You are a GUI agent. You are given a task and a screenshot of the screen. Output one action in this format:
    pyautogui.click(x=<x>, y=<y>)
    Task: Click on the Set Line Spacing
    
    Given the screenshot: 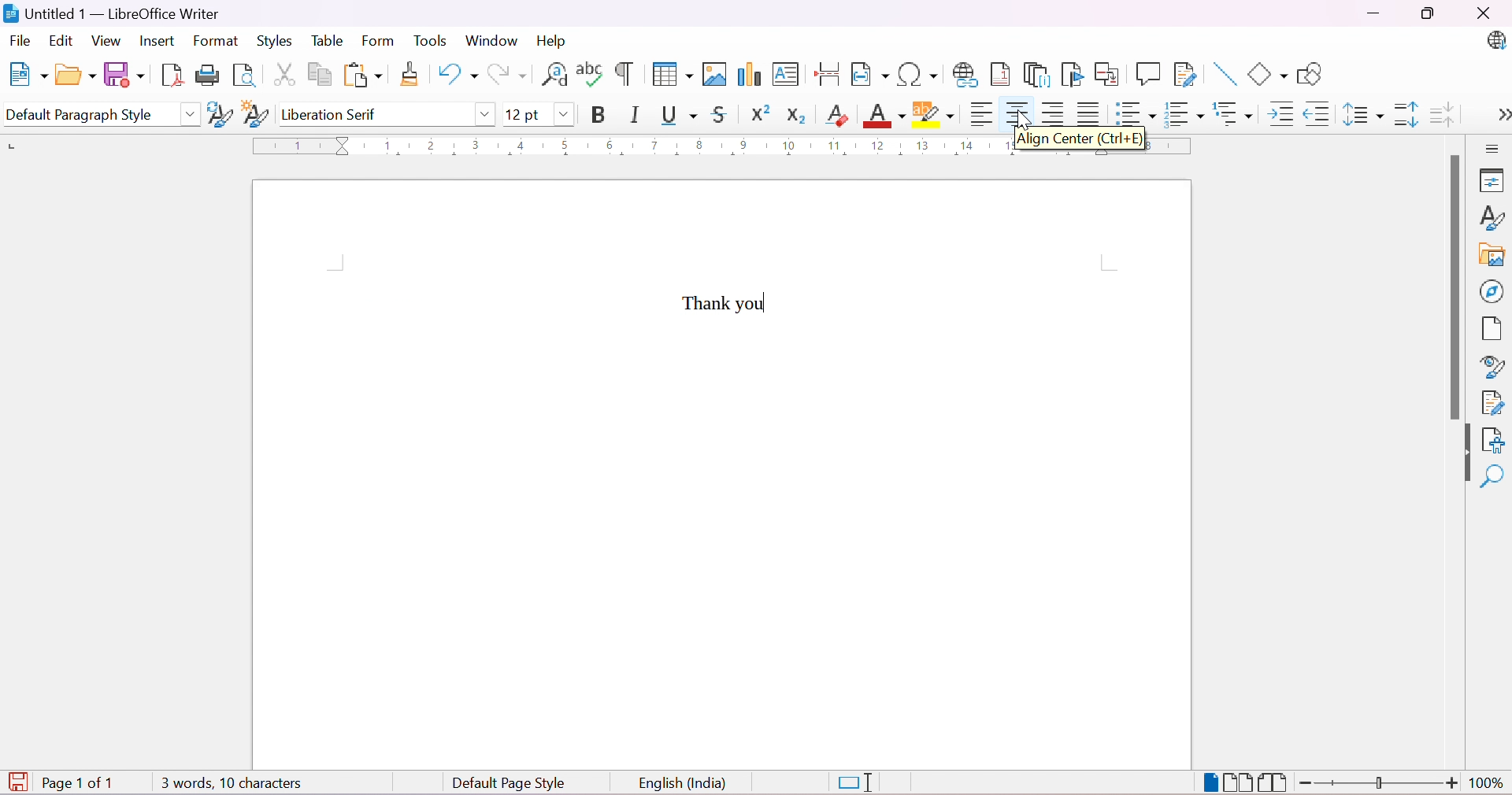 What is the action you would take?
    pyautogui.click(x=1362, y=112)
    